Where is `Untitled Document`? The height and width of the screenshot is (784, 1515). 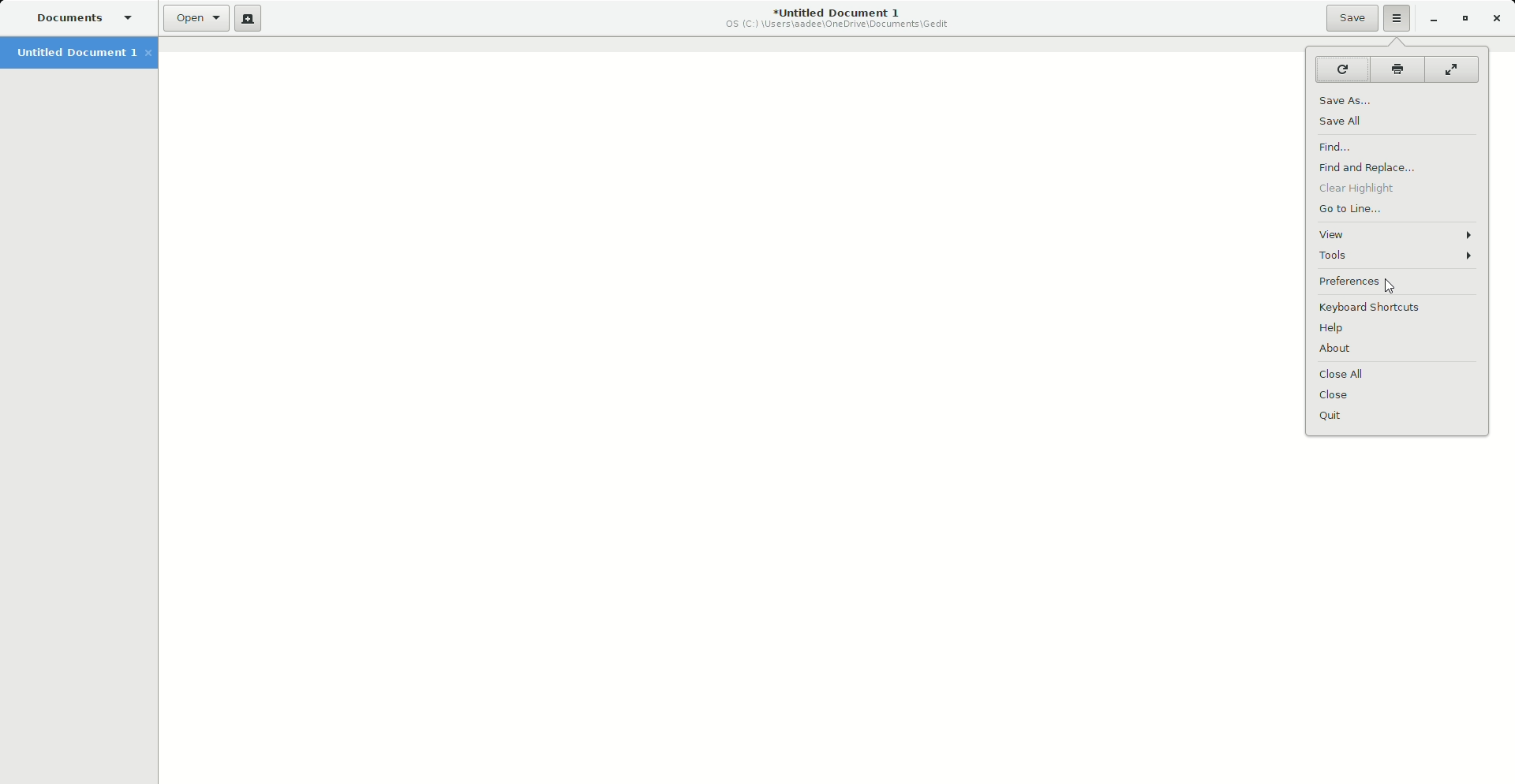 Untitled Document is located at coordinates (829, 17).